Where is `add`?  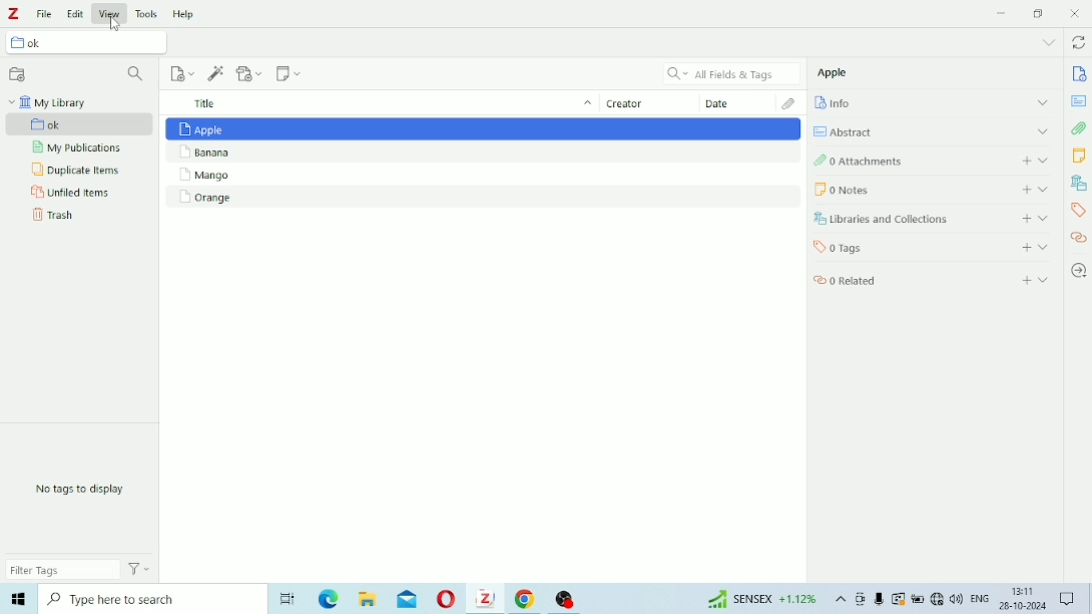
add is located at coordinates (1021, 218).